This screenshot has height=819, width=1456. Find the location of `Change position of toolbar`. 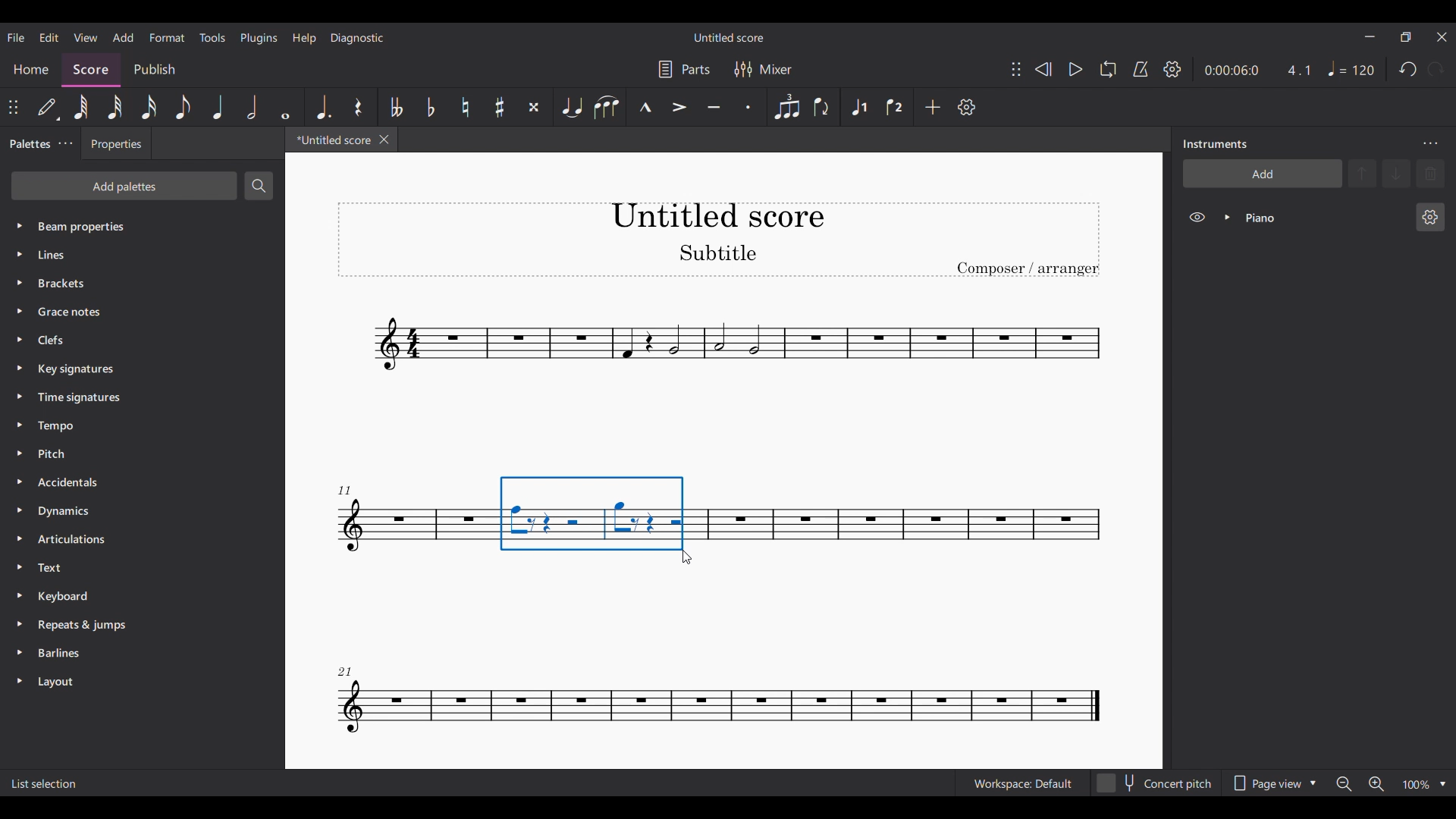

Change position of toolbar is located at coordinates (1016, 69).